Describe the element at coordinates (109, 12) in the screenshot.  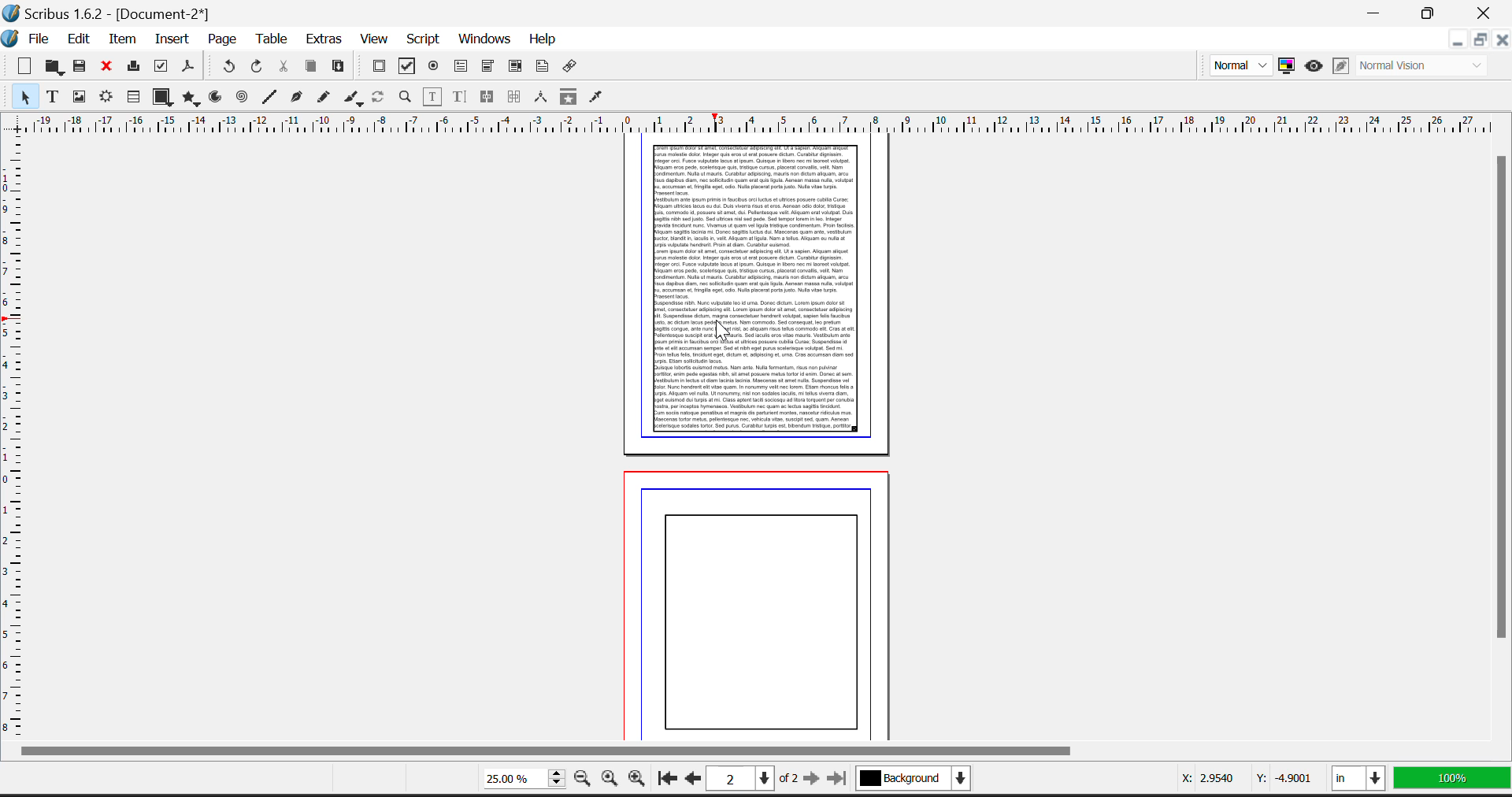
I see `Scribus 1.6.2 -[Document-2*]` at that location.